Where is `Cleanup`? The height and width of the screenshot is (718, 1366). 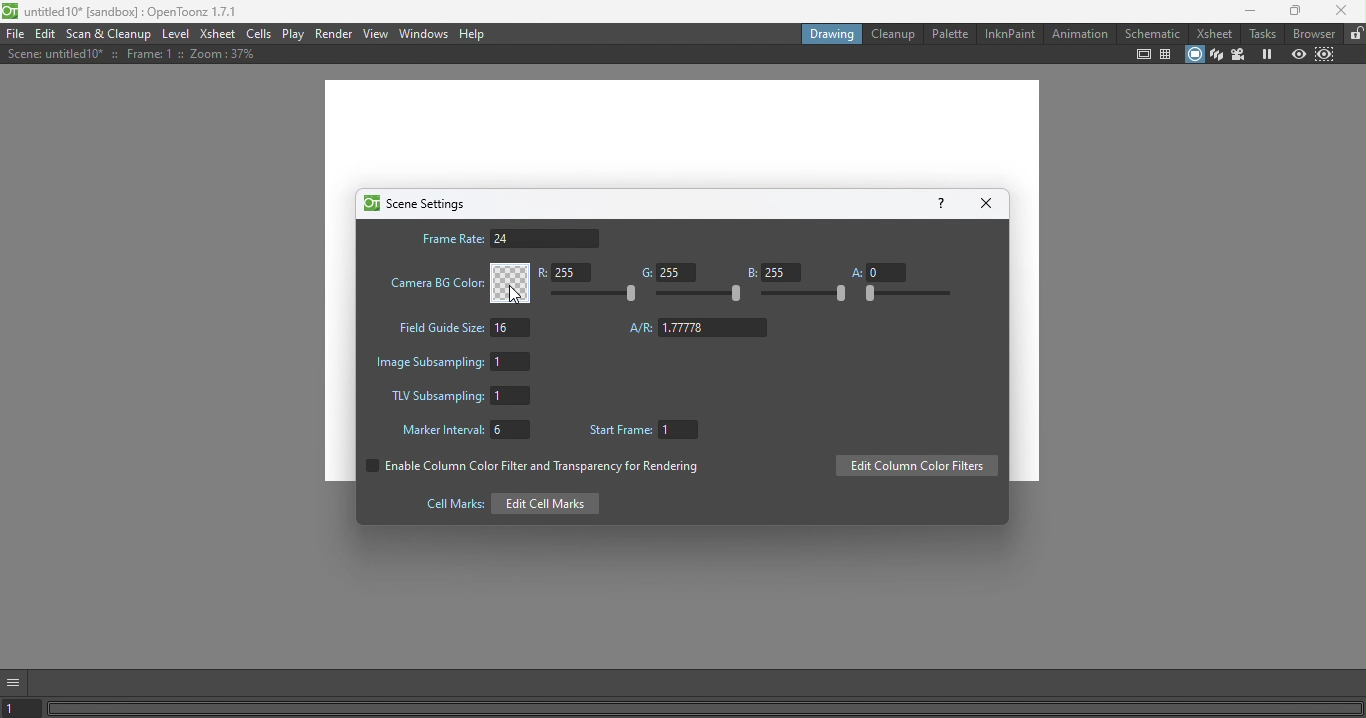
Cleanup is located at coordinates (892, 34).